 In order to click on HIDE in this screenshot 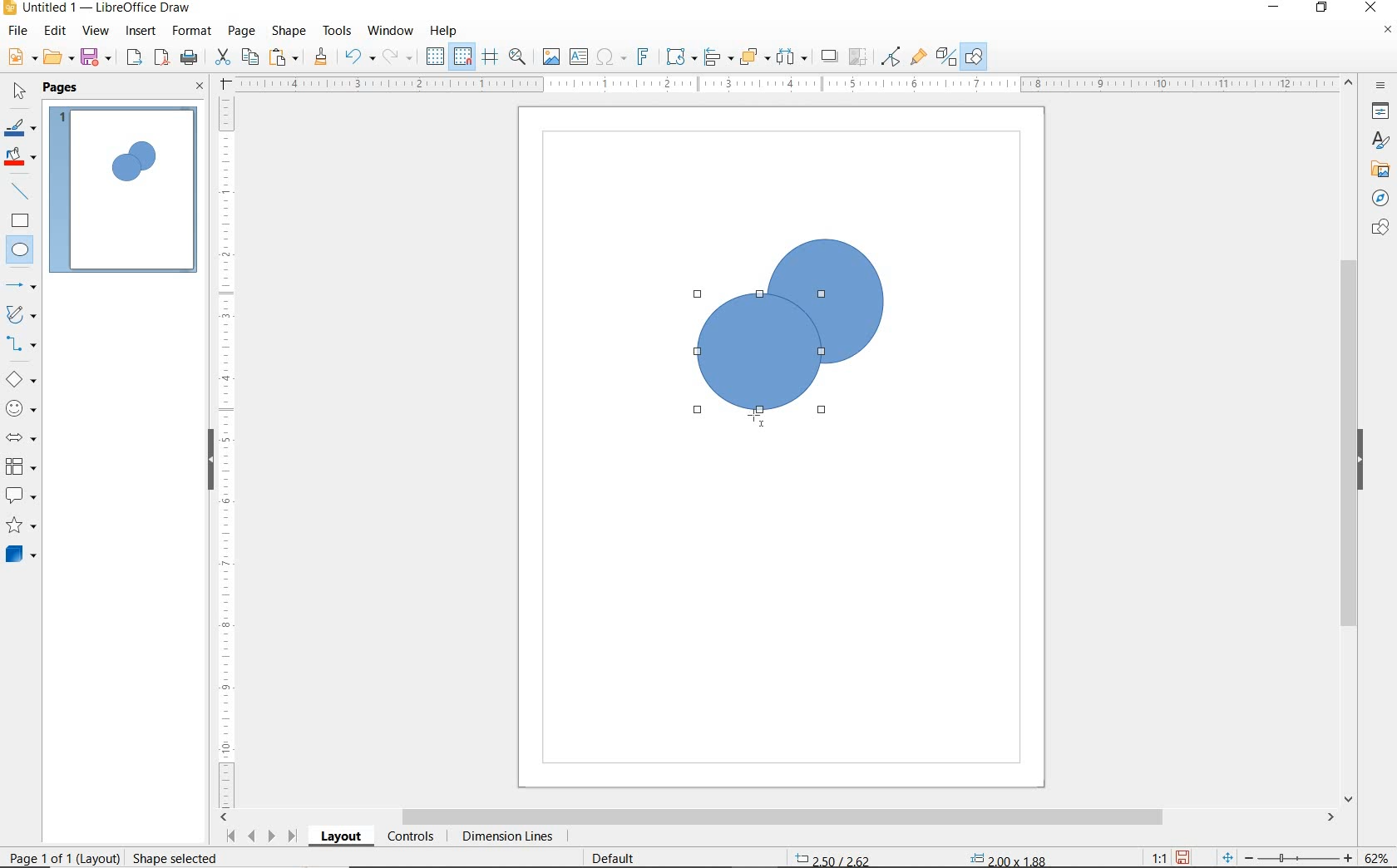, I will do `click(1365, 460)`.